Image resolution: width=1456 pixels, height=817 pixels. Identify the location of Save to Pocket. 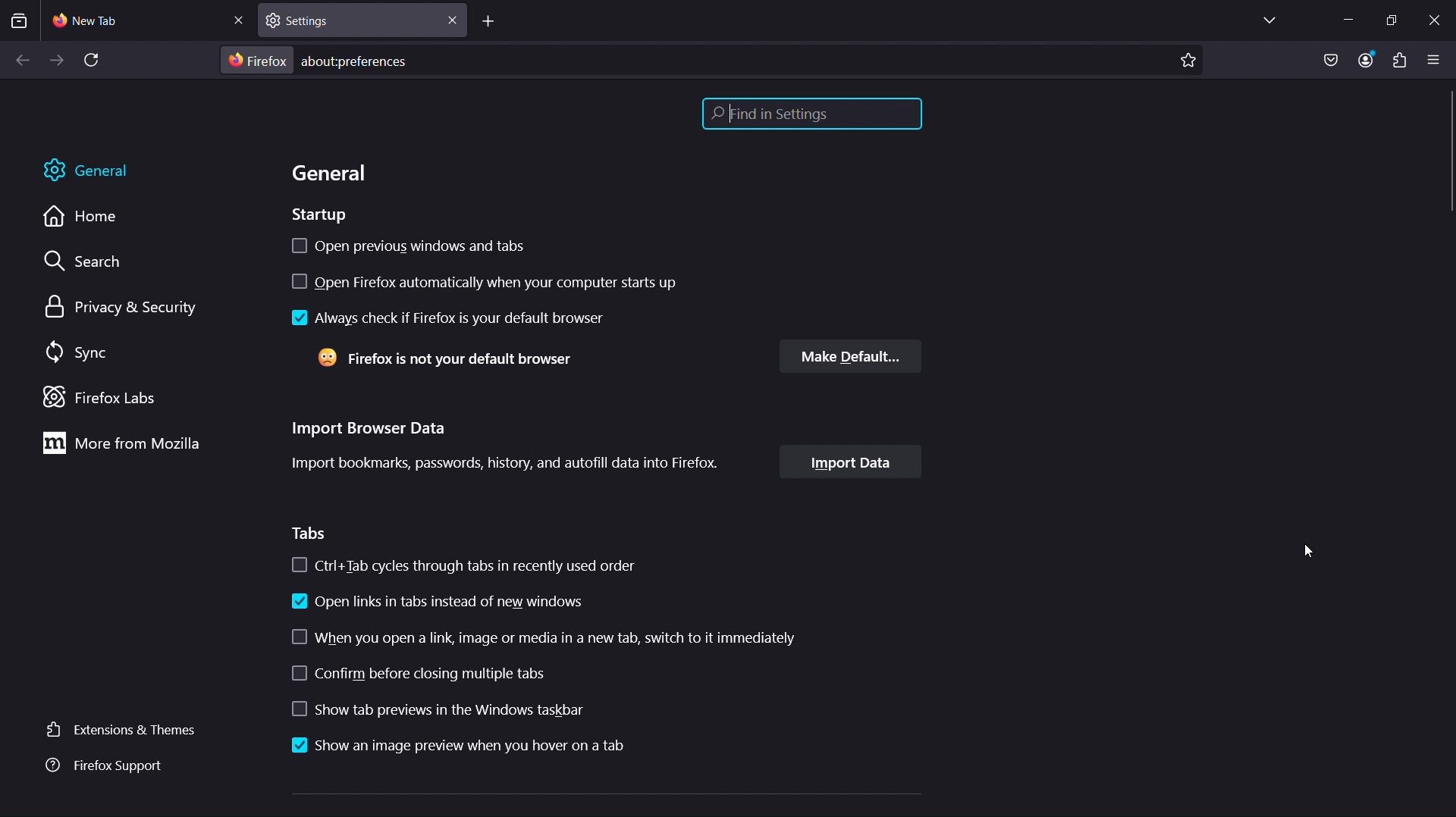
(1331, 57).